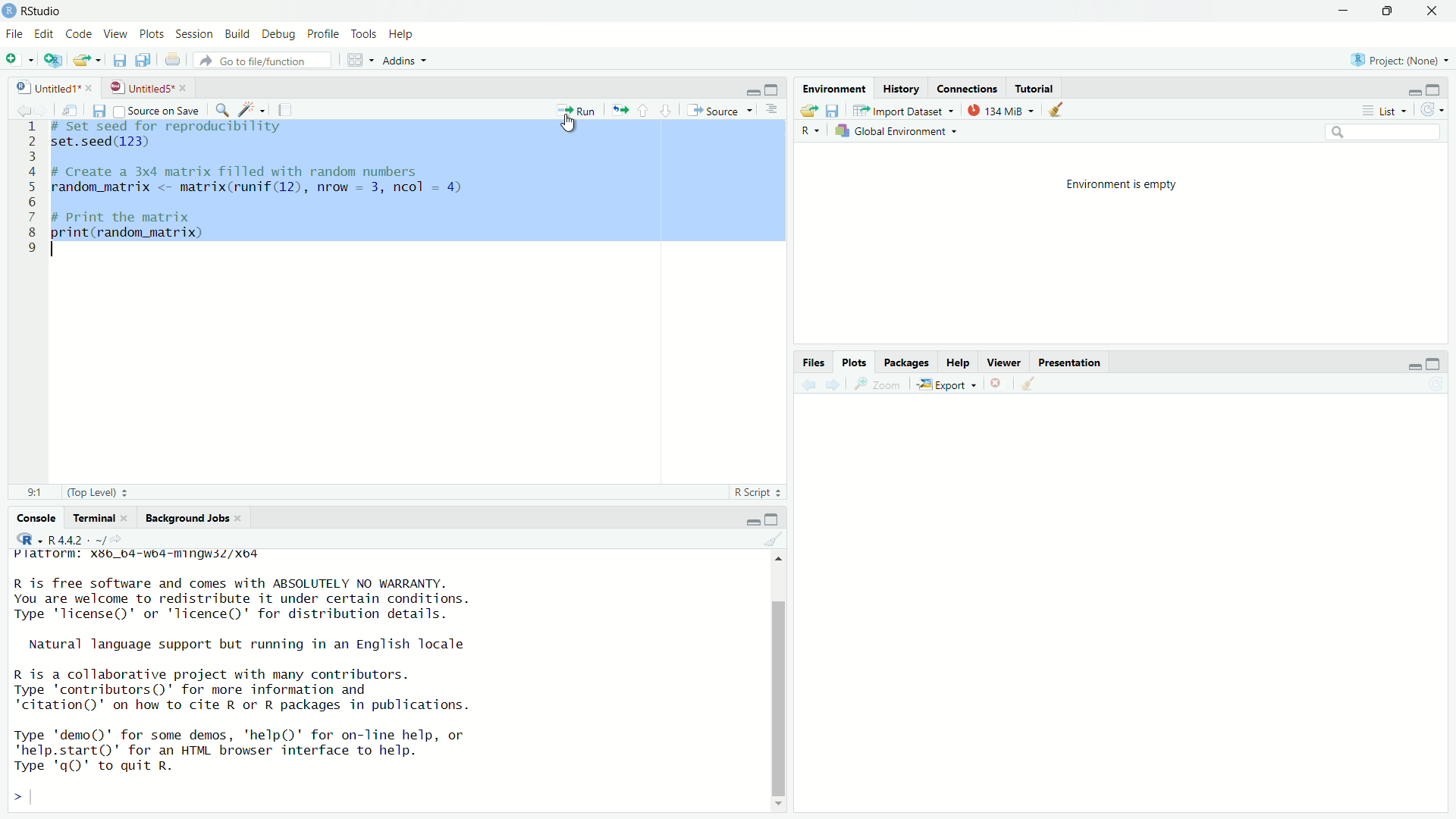 The image size is (1456, 819). I want to click on Edit, so click(45, 36).